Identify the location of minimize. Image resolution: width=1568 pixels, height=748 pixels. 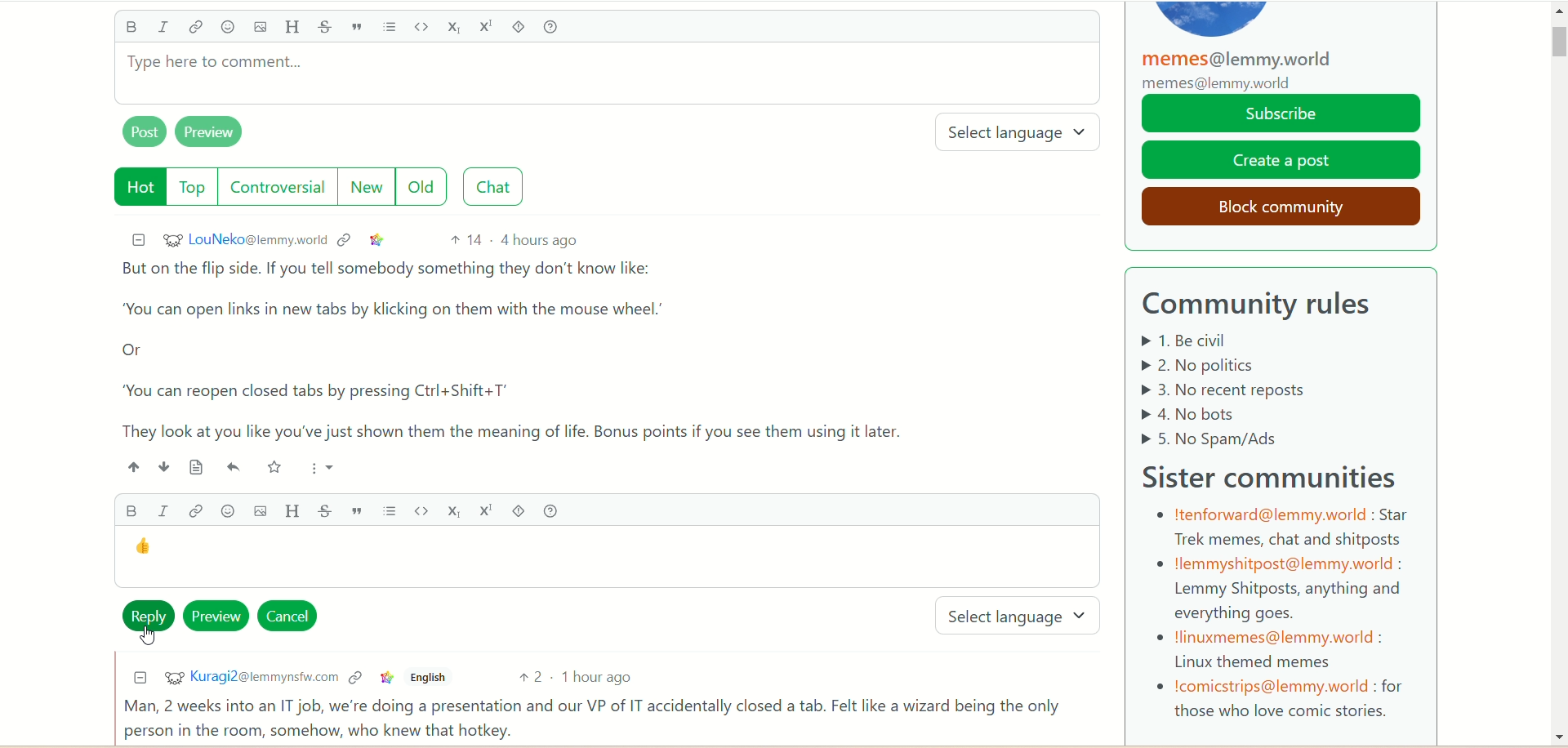
(135, 679).